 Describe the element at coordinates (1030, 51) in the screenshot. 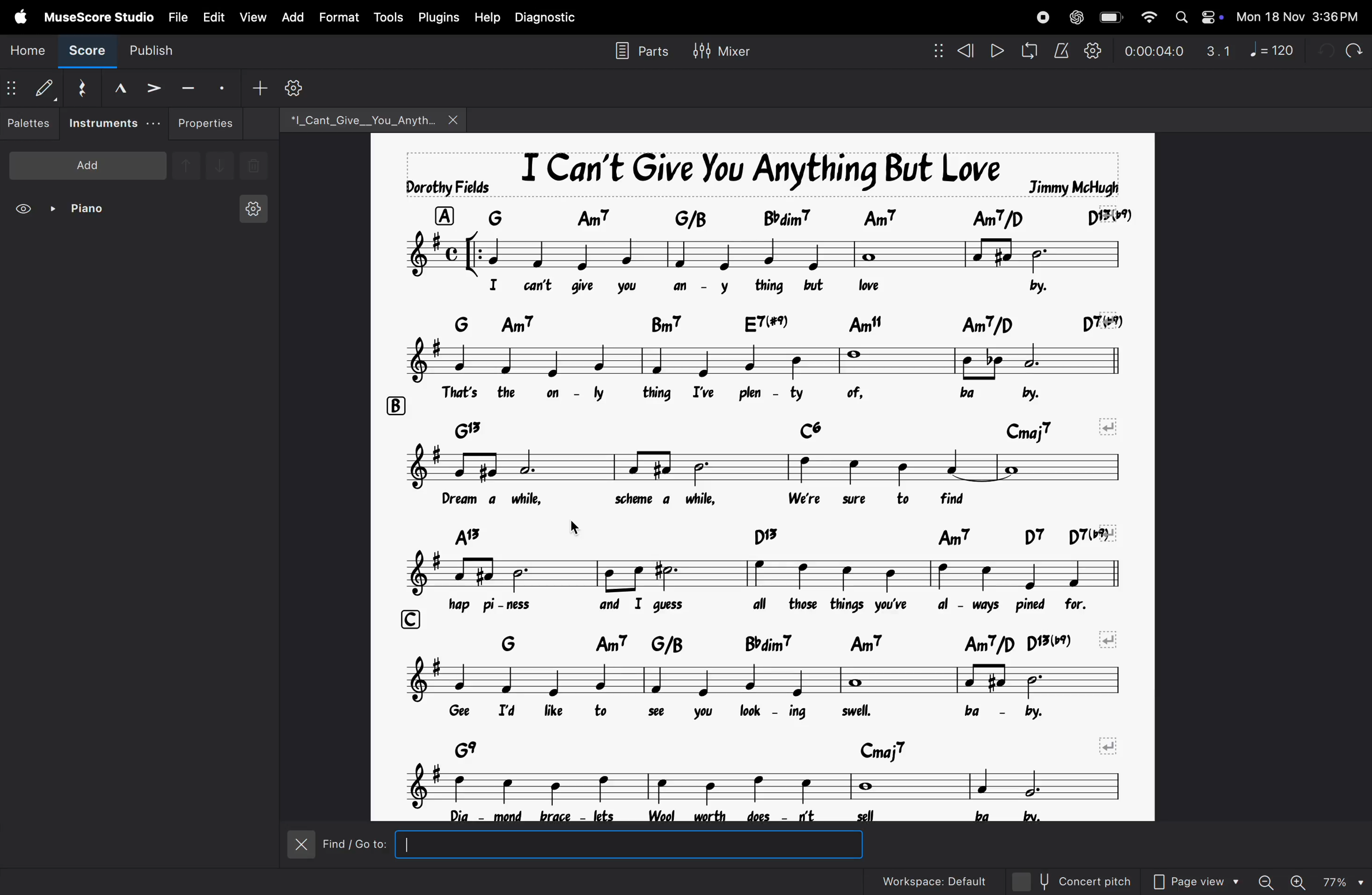

I see `loop playback` at that location.